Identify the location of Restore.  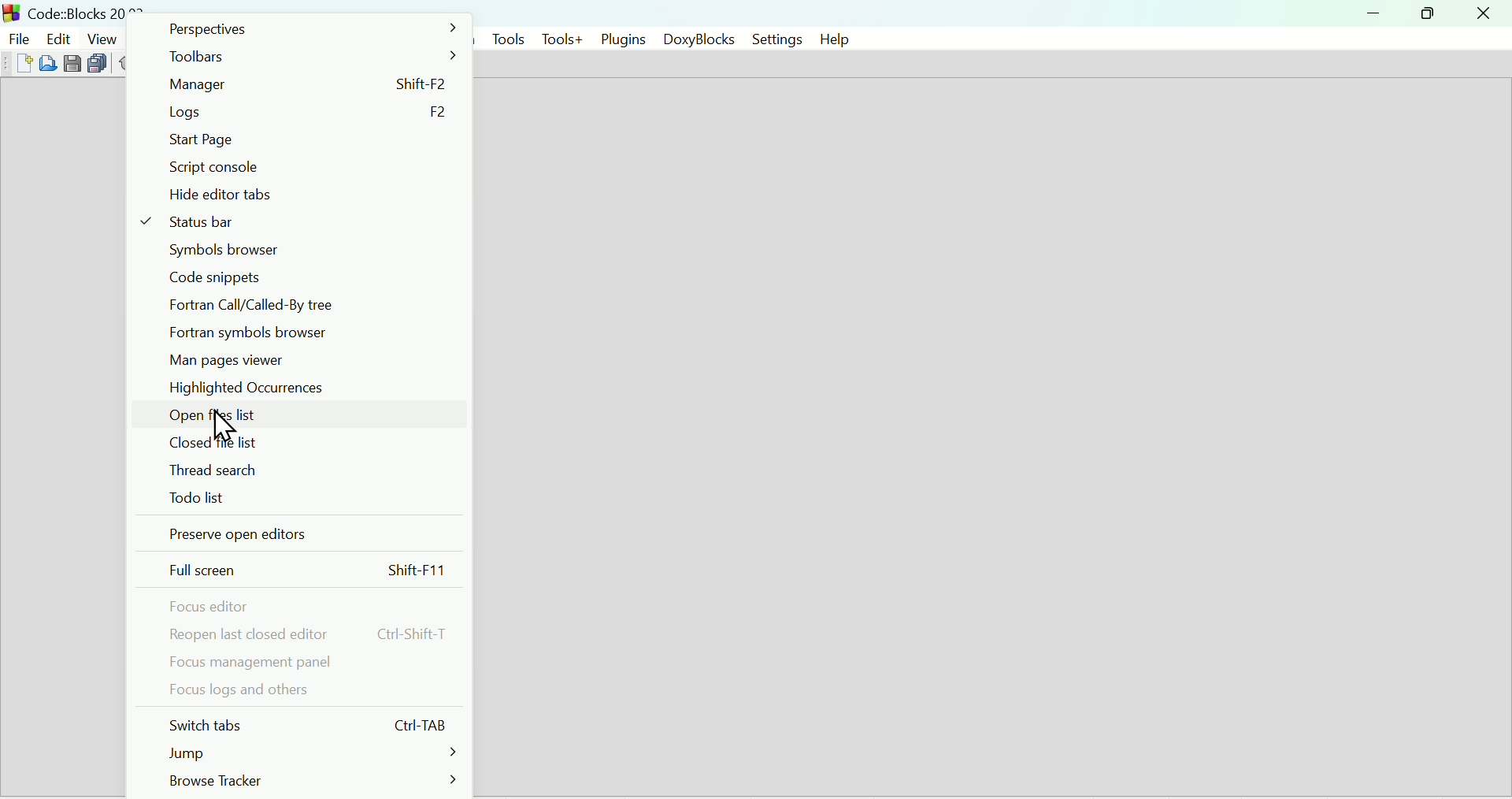
(1423, 13).